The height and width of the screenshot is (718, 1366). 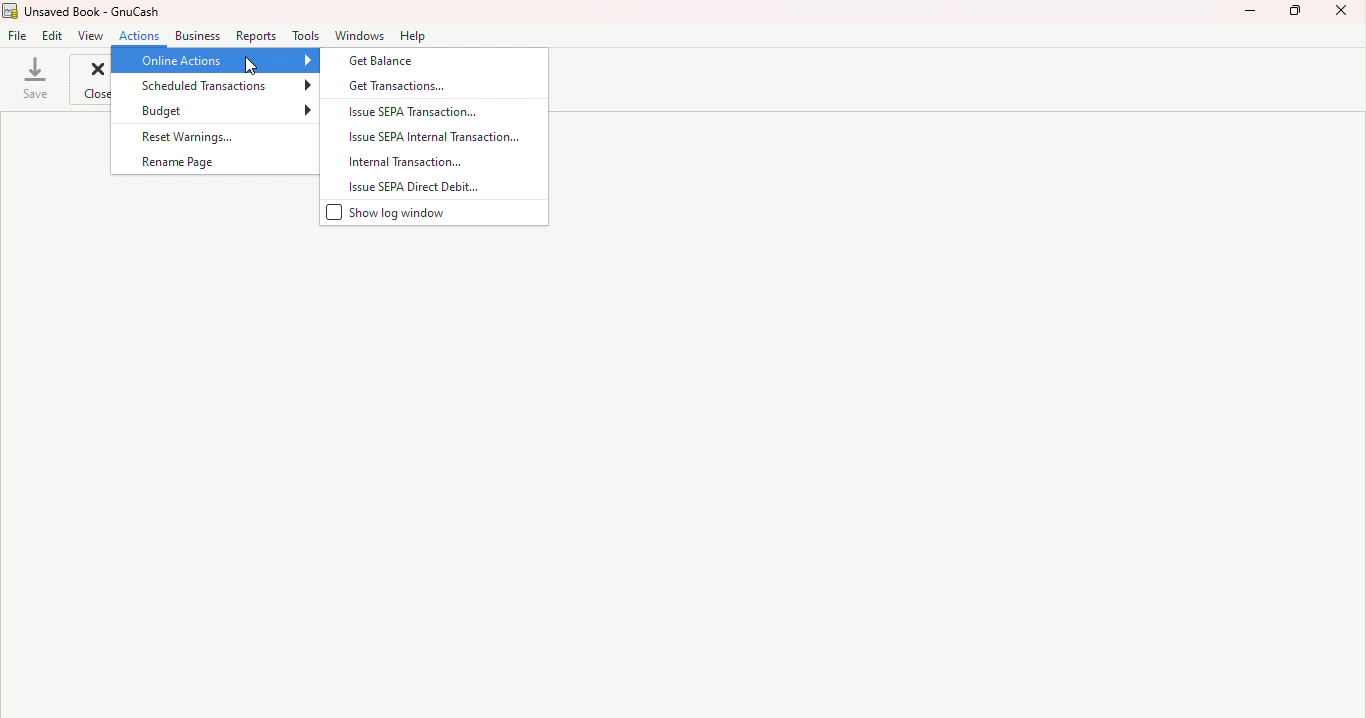 I want to click on Issue SEPA Direct debit, so click(x=429, y=186).